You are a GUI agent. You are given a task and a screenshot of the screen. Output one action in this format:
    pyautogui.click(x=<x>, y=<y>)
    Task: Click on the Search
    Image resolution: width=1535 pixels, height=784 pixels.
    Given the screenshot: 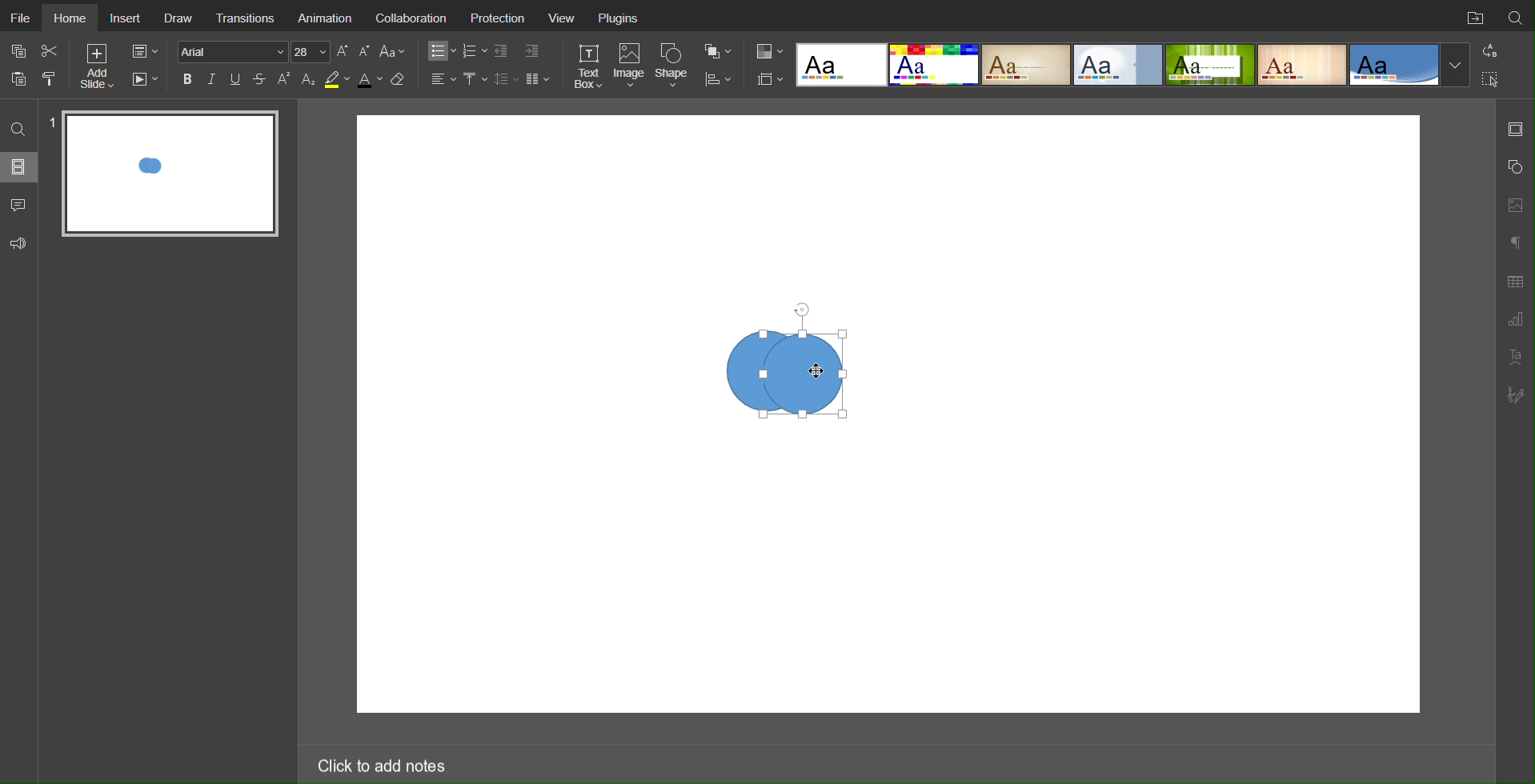 What is the action you would take?
    pyautogui.click(x=20, y=128)
    